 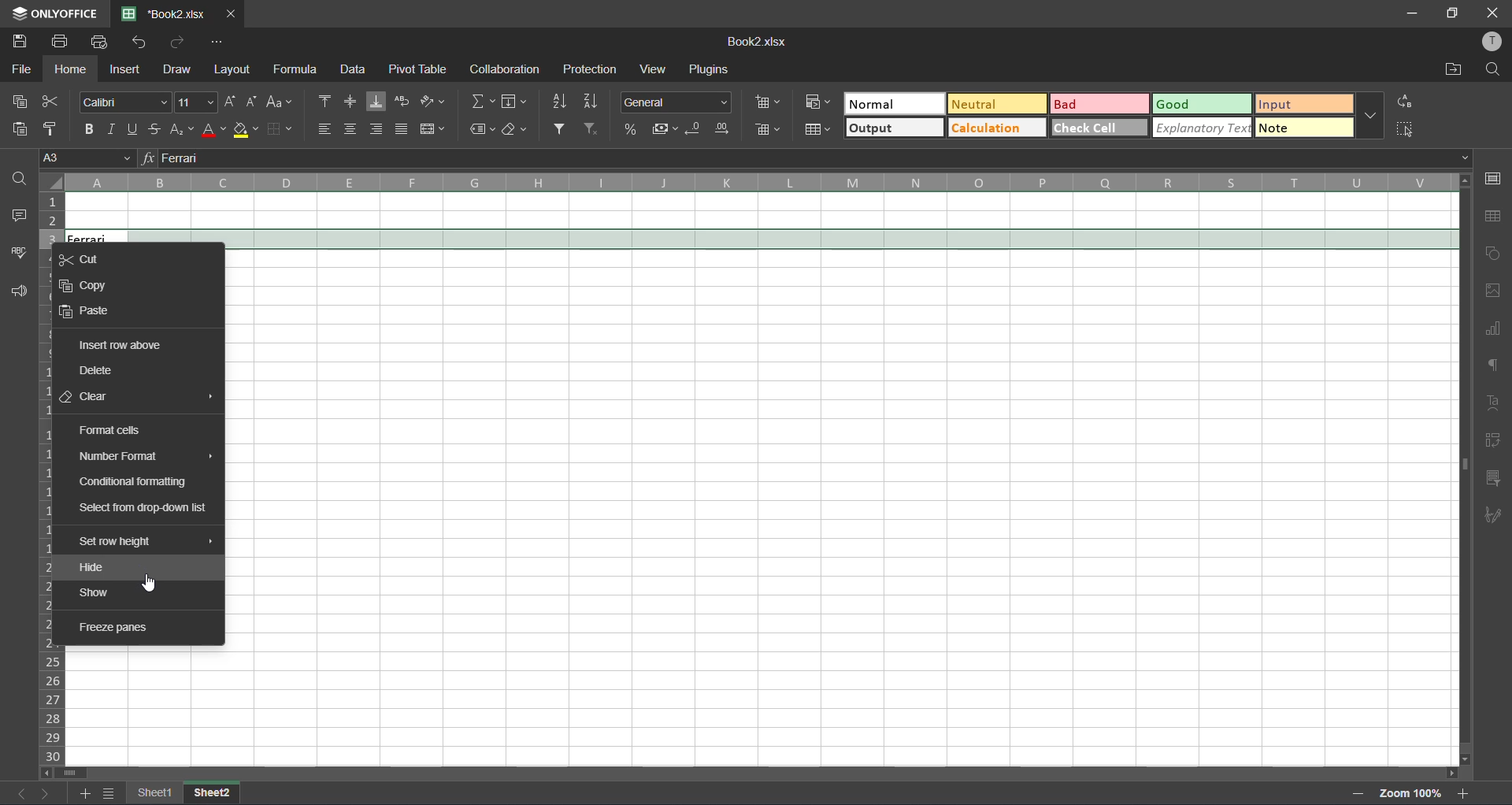 What do you see at coordinates (561, 102) in the screenshot?
I see `sort ascending ` at bounding box center [561, 102].